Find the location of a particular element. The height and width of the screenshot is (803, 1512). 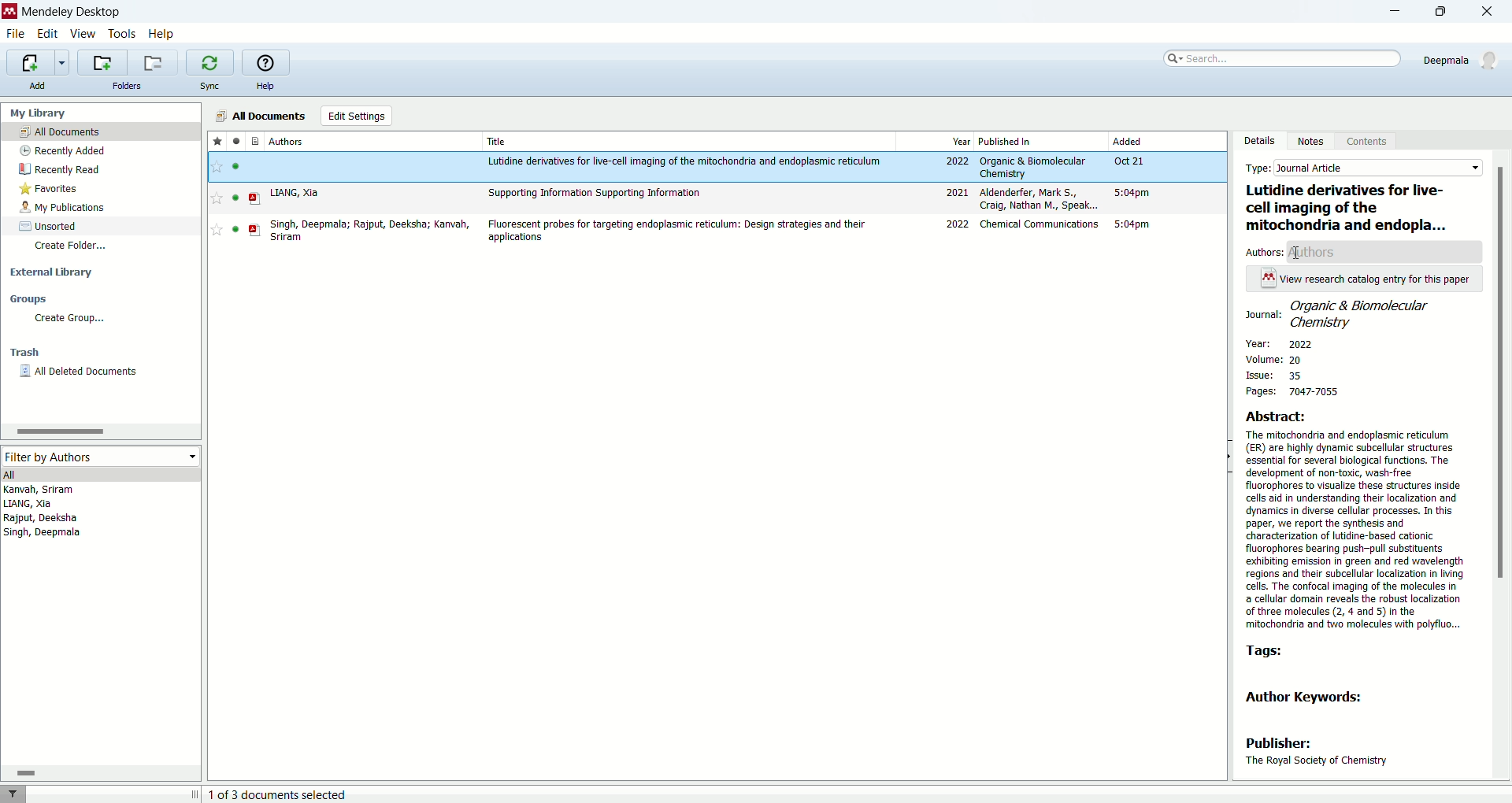

author is located at coordinates (1364, 250).